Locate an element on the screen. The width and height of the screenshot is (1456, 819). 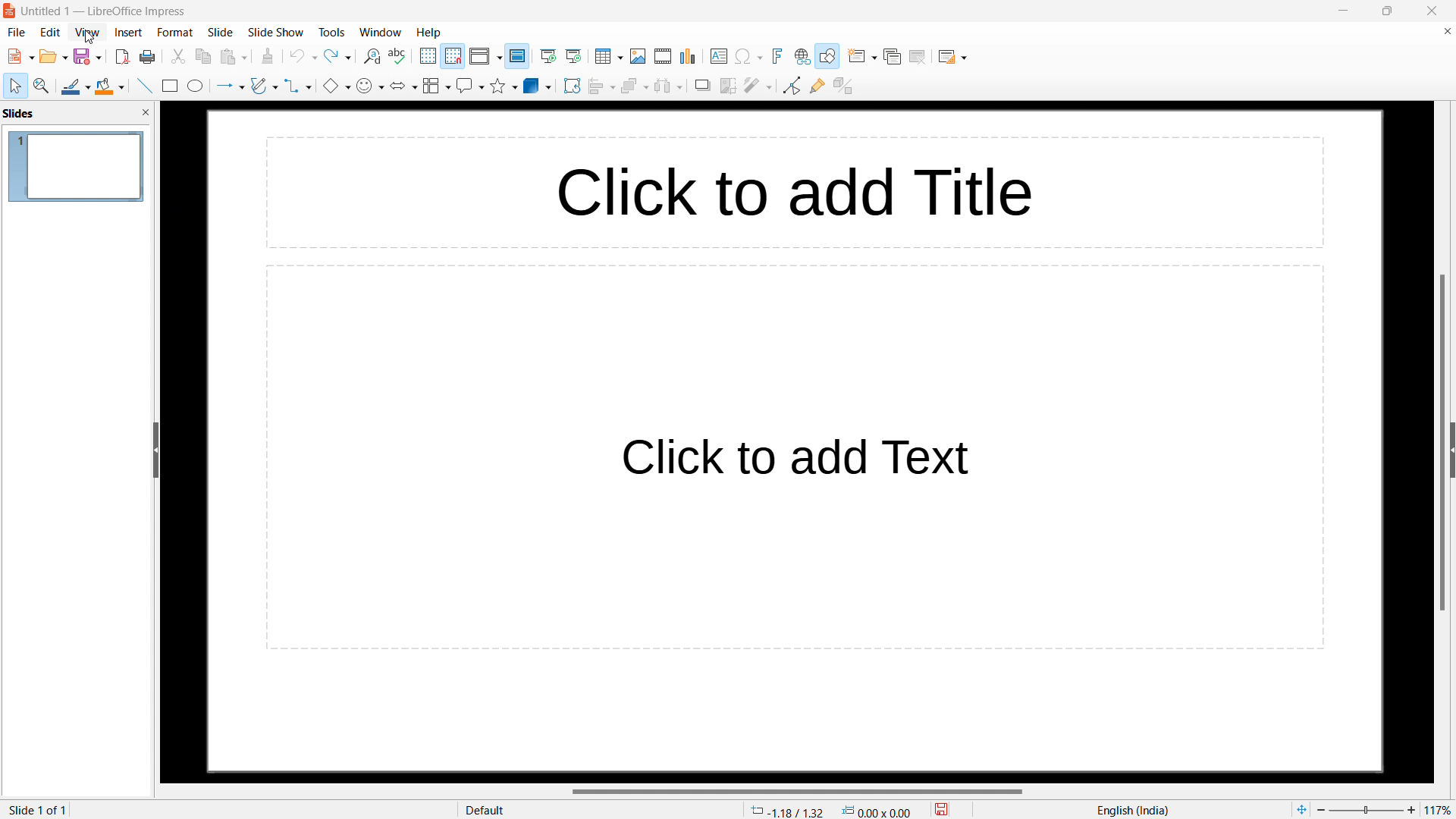
new is located at coordinates (21, 56).